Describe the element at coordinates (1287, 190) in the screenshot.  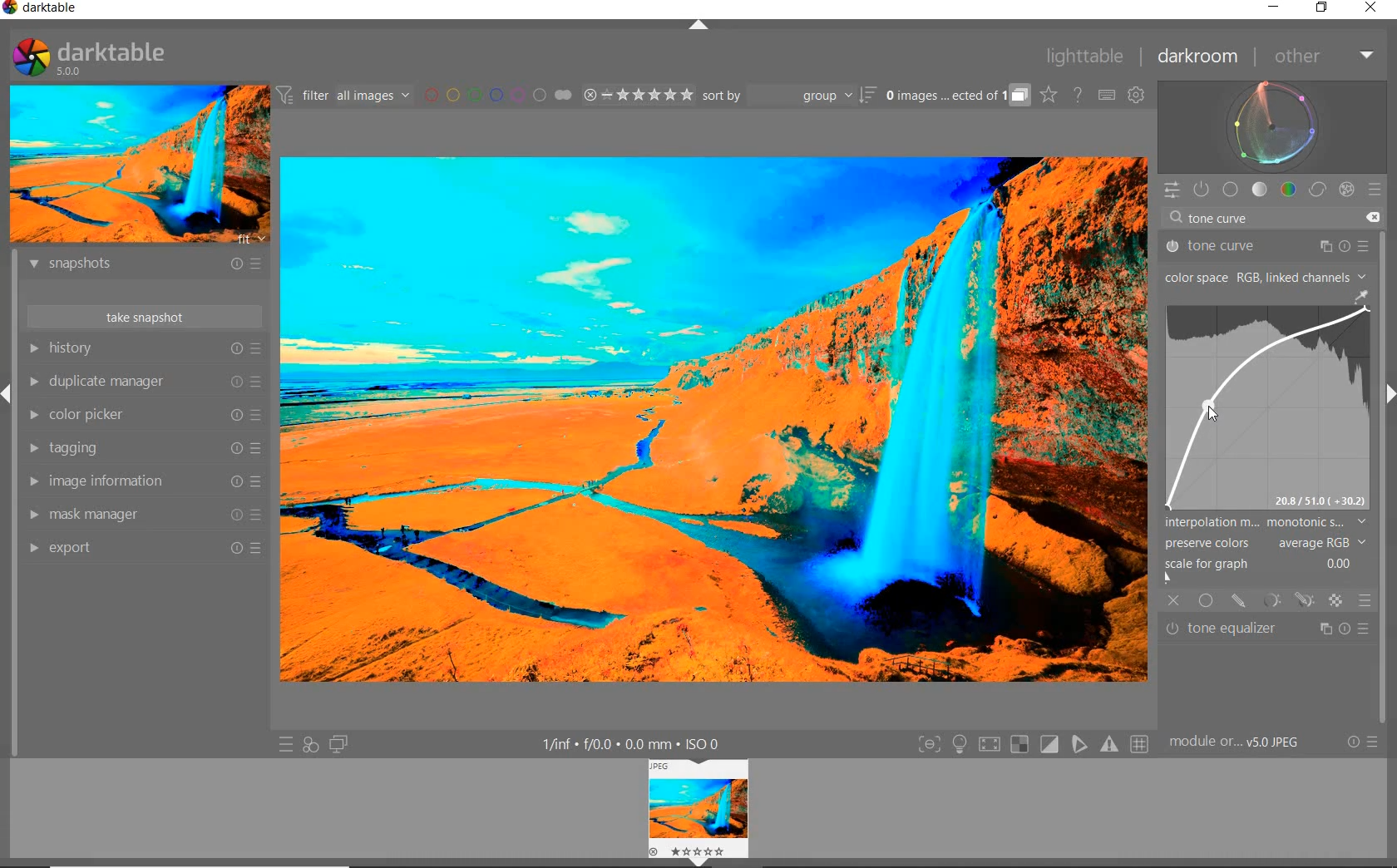
I see `color` at that location.